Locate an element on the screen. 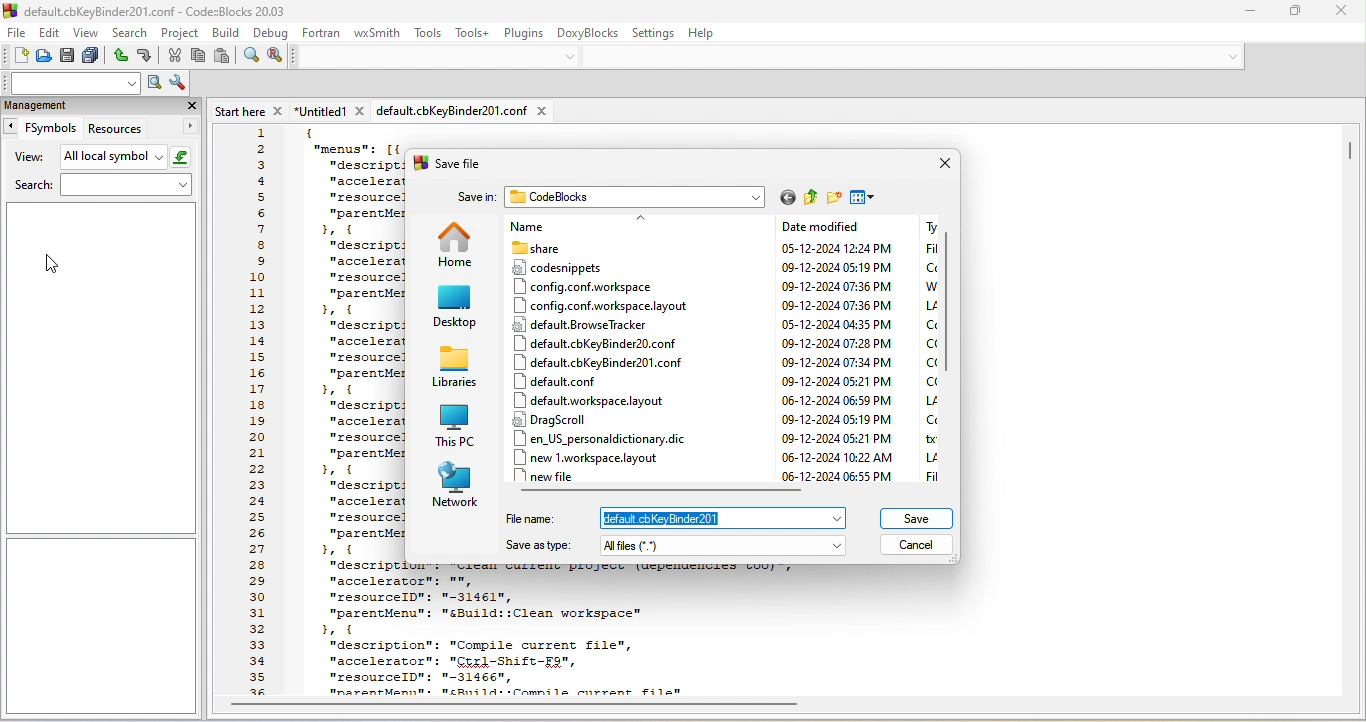 The height and width of the screenshot is (722, 1366). network is located at coordinates (451, 484).